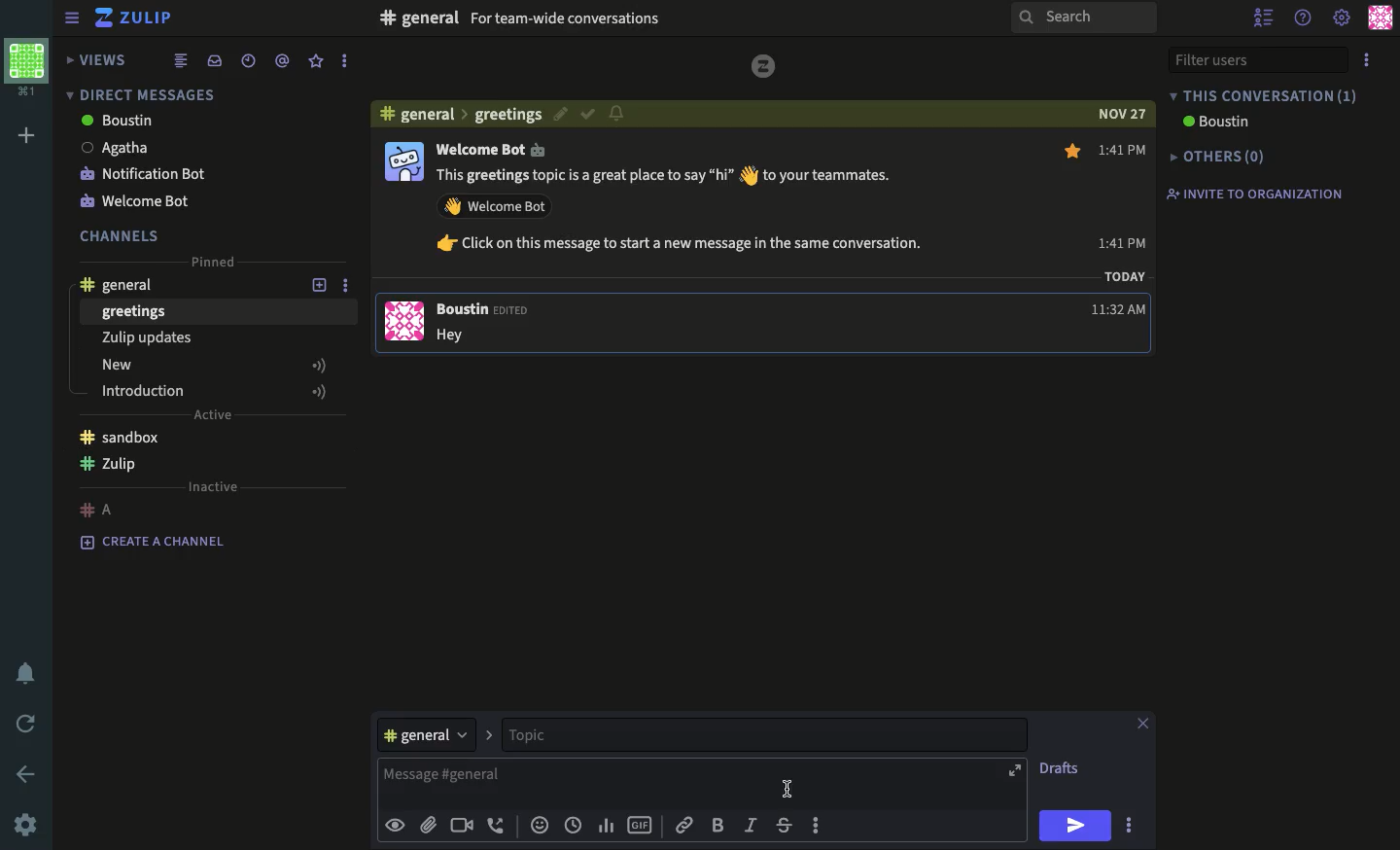 Image resolution: width=1400 pixels, height=850 pixels. What do you see at coordinates (351, 287) in the screenshot?
I see `options` at bounding box center [351, 287].